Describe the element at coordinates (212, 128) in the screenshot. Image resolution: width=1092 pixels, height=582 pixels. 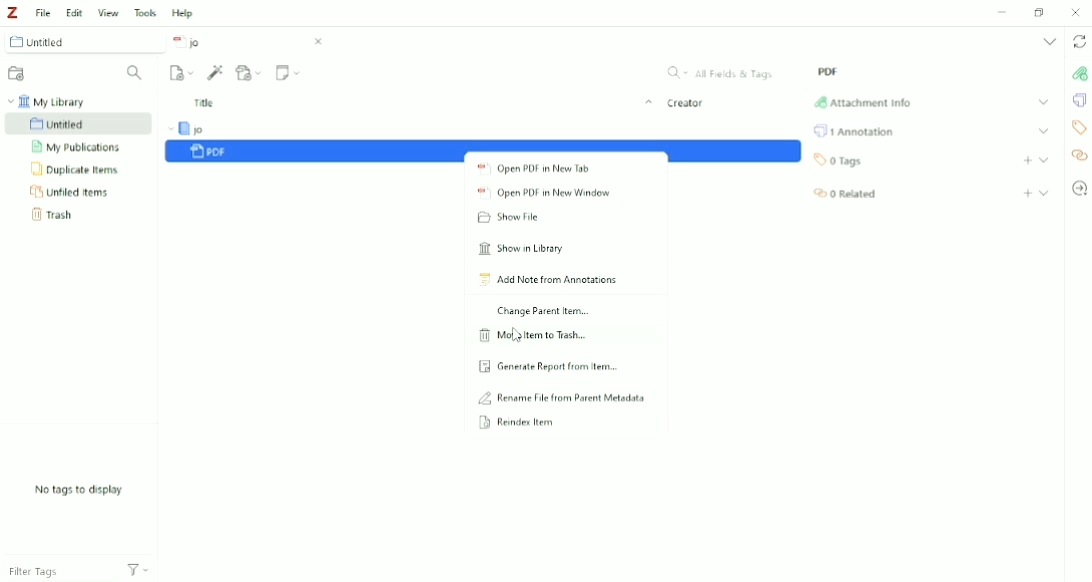
I see `jo` at that location.